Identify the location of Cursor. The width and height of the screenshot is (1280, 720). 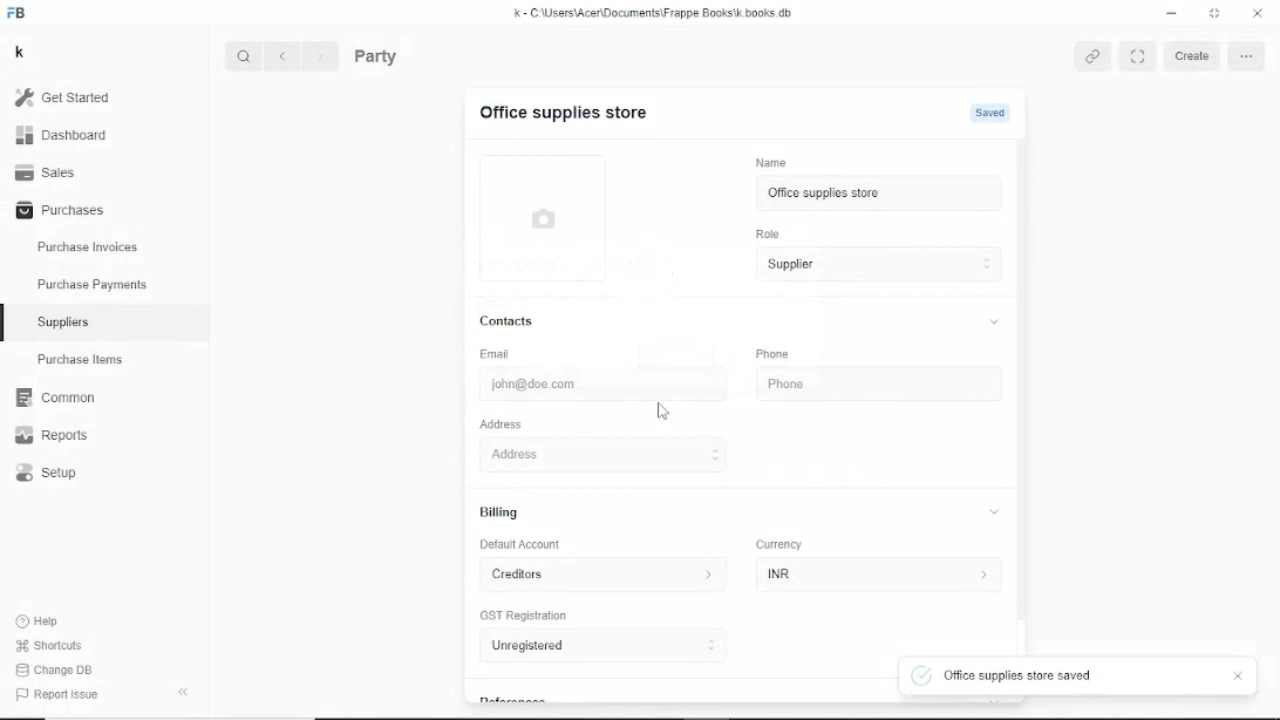
(882, 193).